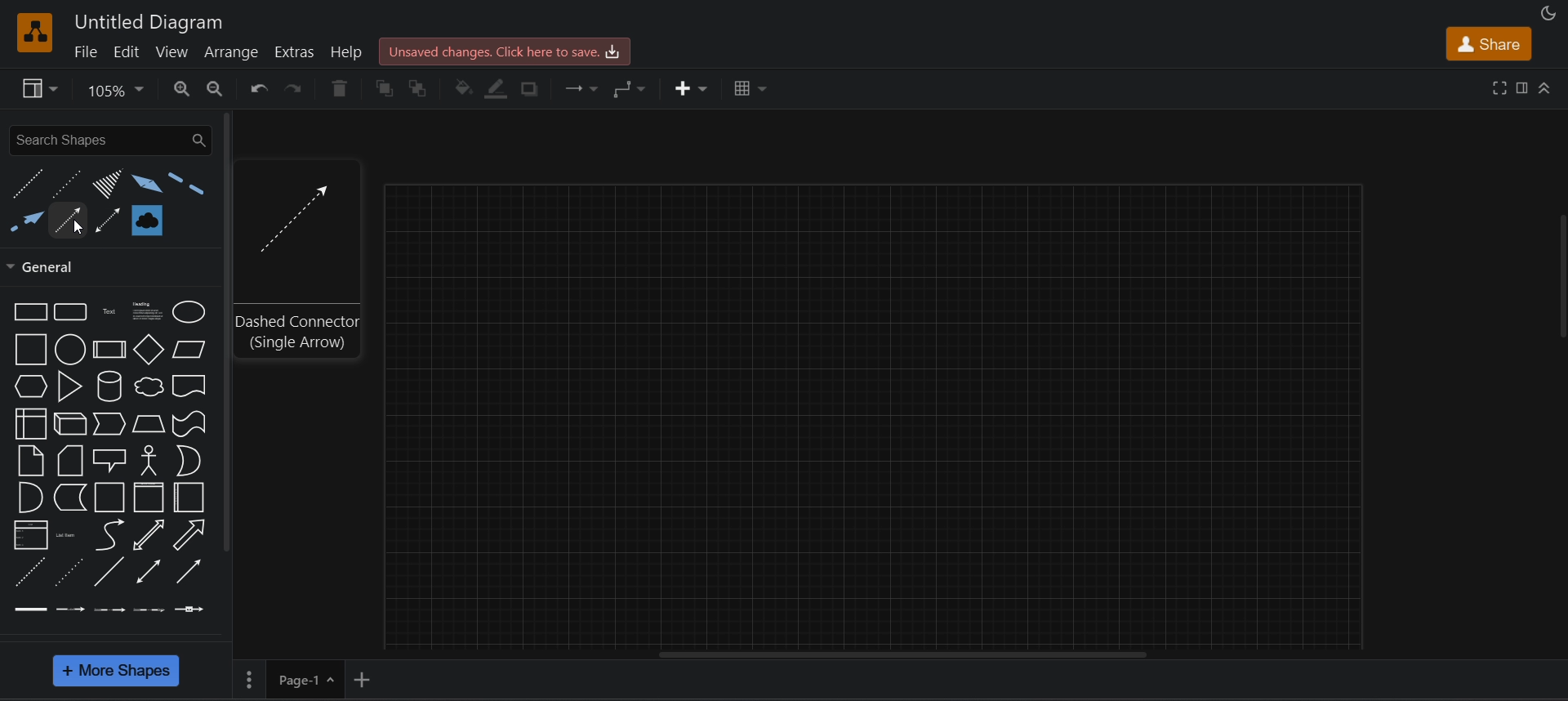  I want to click on dotted triangle, so click(104, 185).